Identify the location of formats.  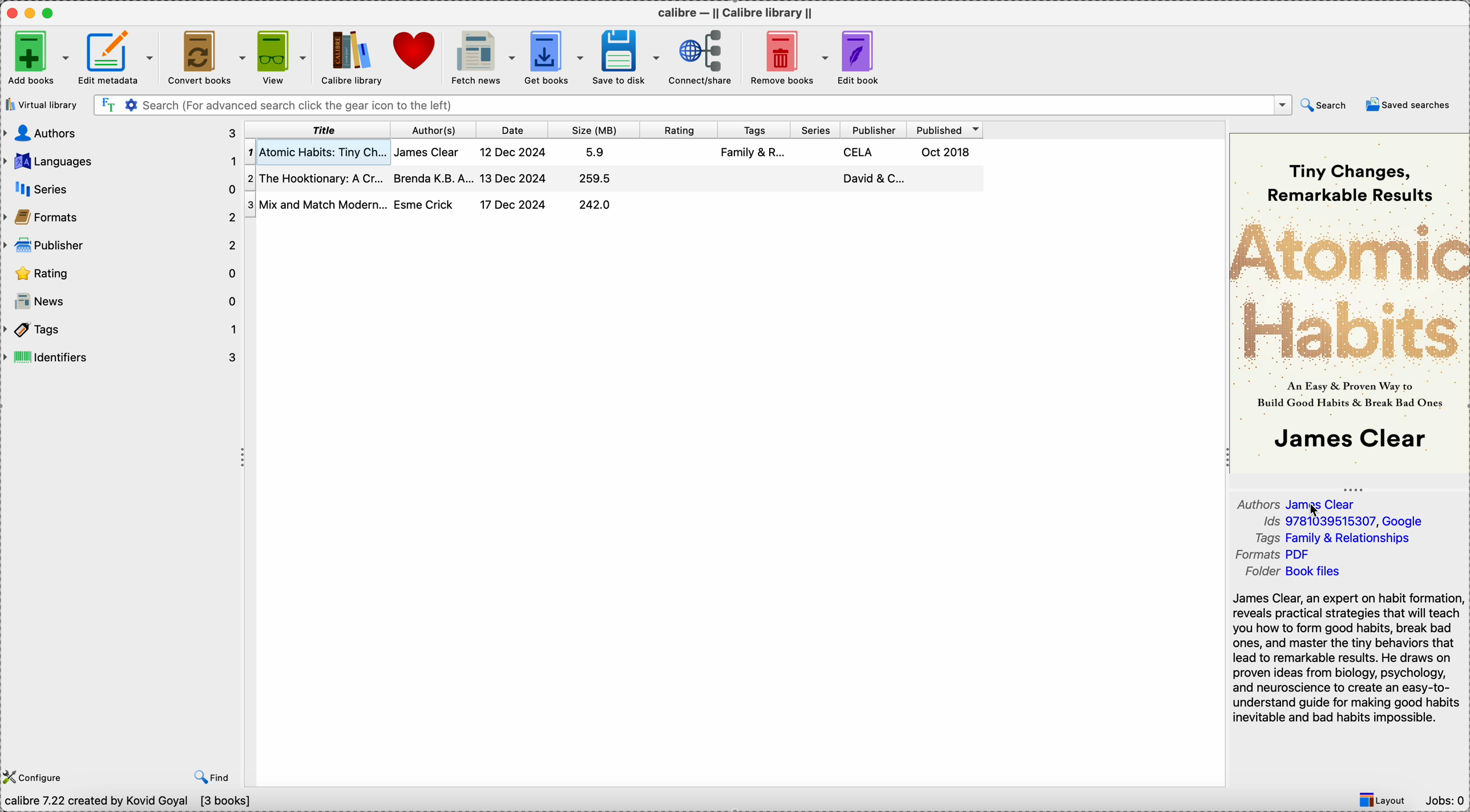
(119, 216).